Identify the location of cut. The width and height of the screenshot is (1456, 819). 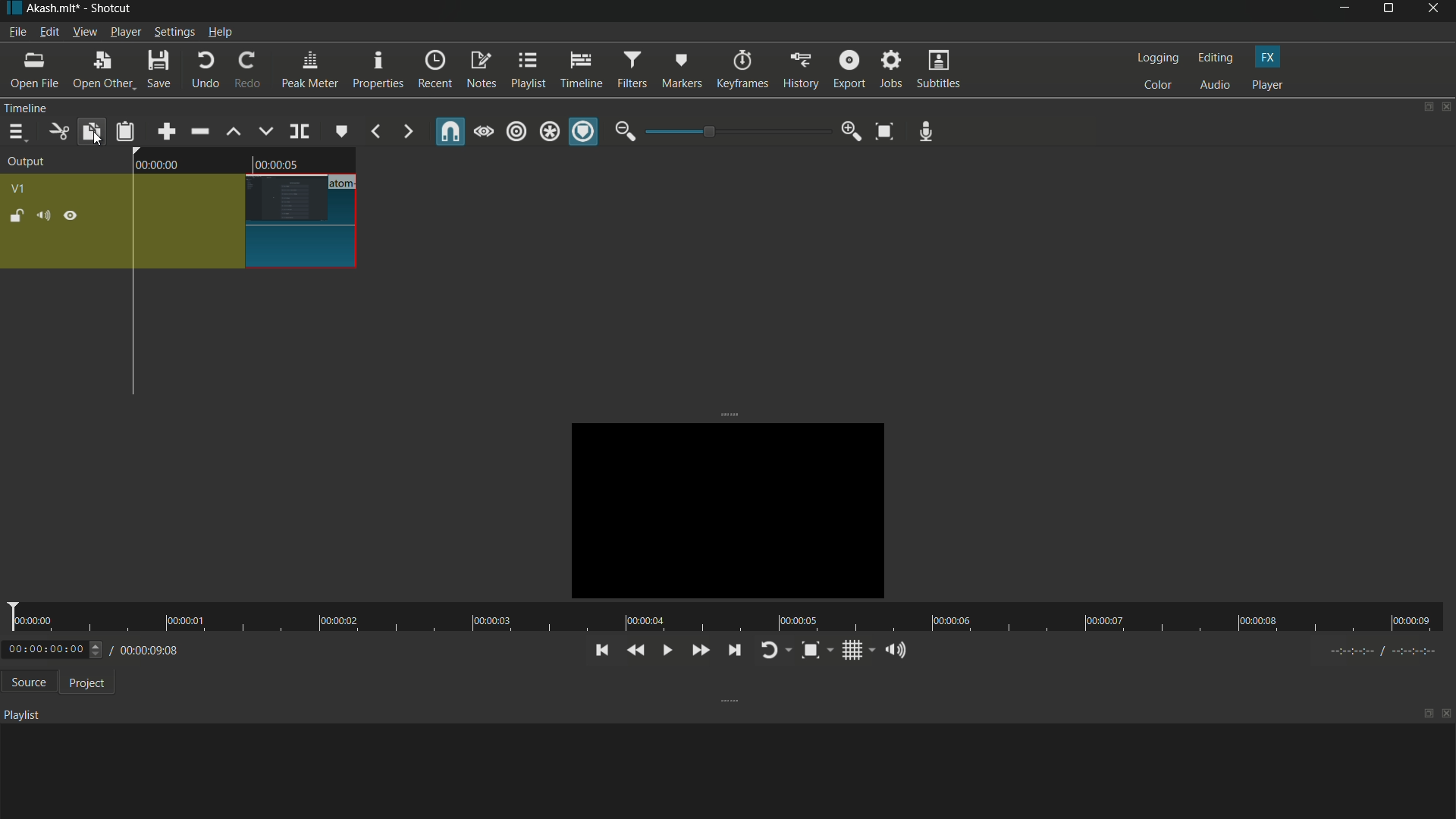
(57, 132).